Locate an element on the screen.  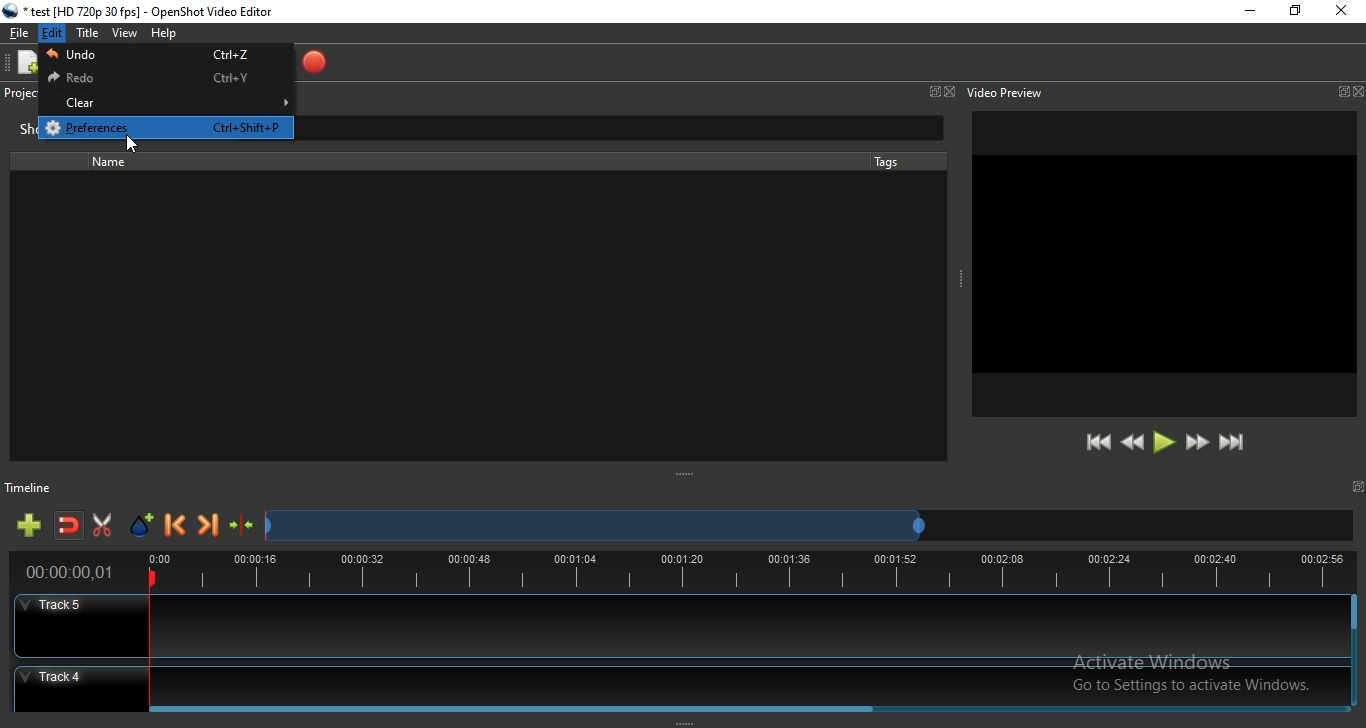
Previous marker is located at coordinates (176, 527).